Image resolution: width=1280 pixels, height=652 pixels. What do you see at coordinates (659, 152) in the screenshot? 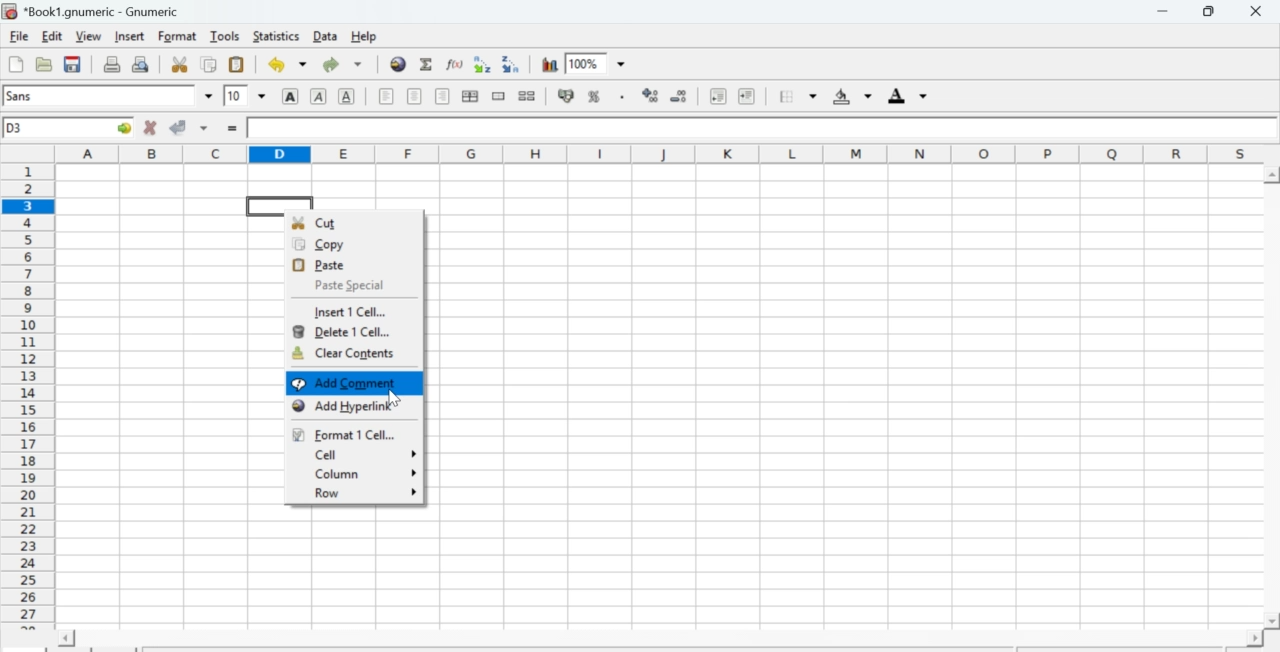
I see `alphabets row` at bounding box center [659, 152].